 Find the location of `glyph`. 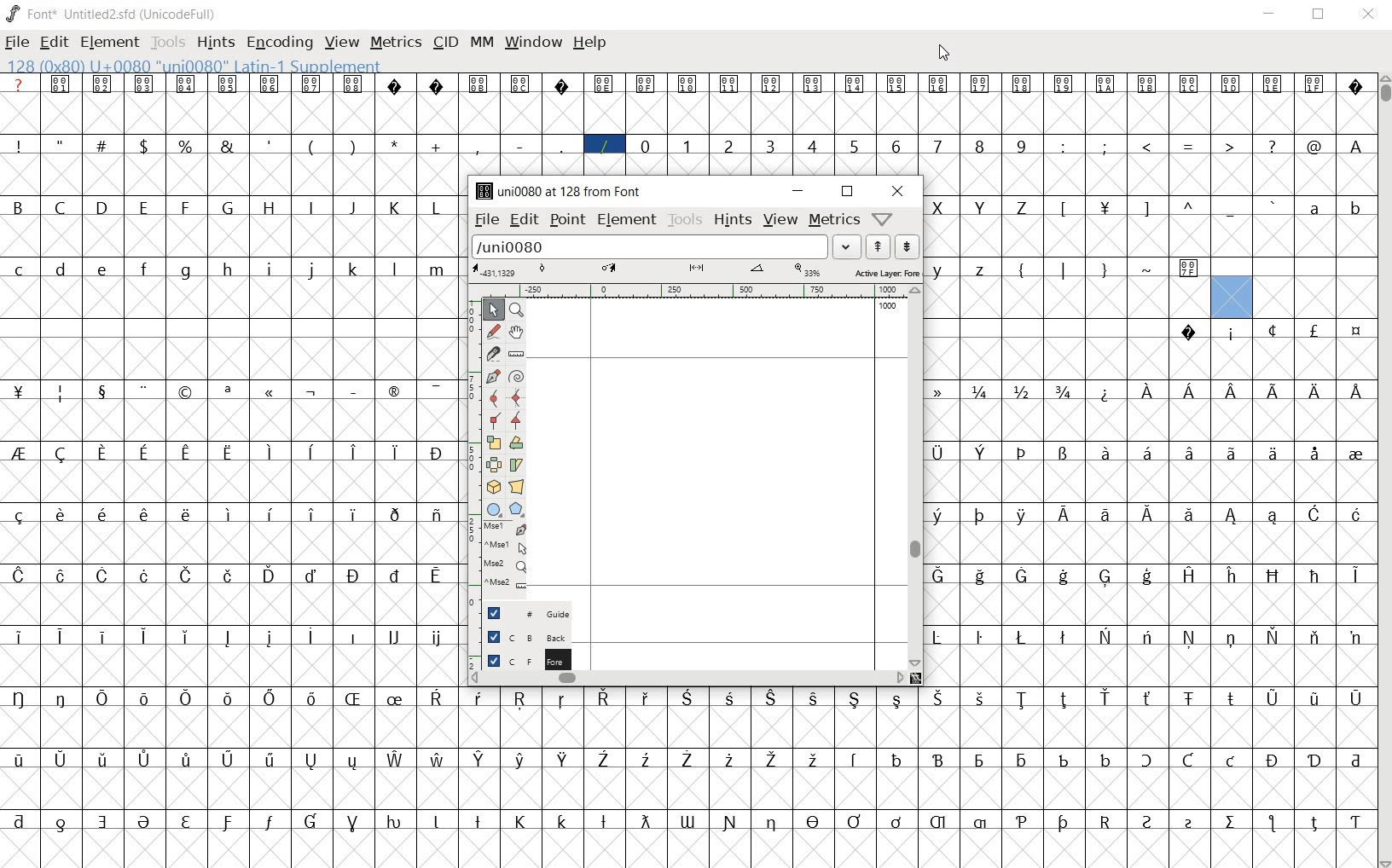

glyph is located at coordinates (61, 394).